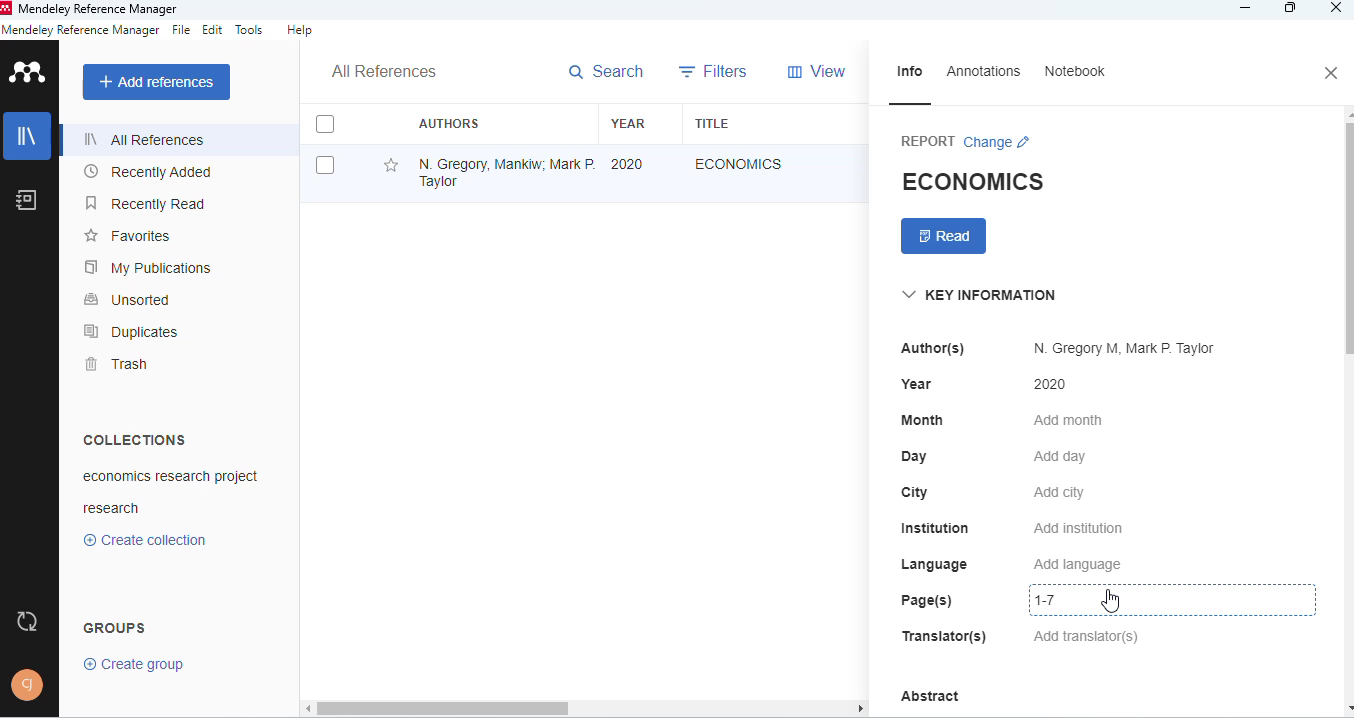 The width and height of the screenshot is (1354, 718). Describe the element at coordinates (1077, 565) in the screenshot. I see `add language` at that location.